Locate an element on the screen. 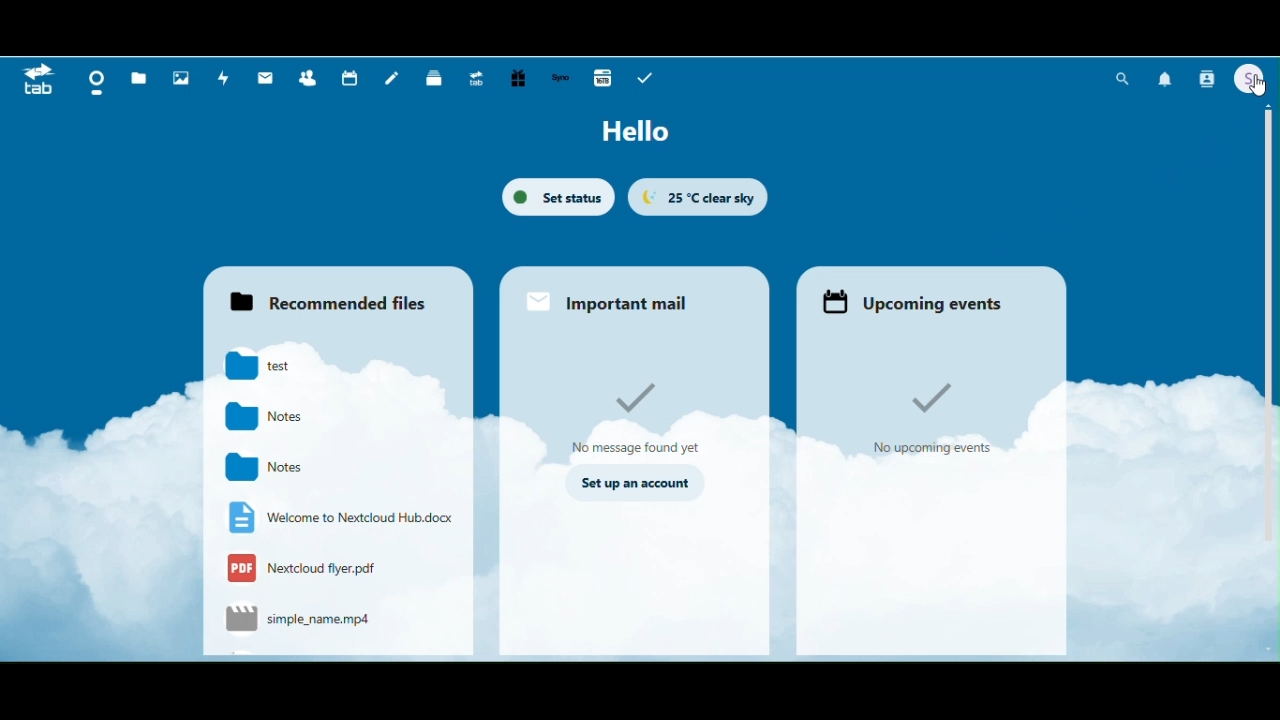  Notes is located at coordinates (276, 468).